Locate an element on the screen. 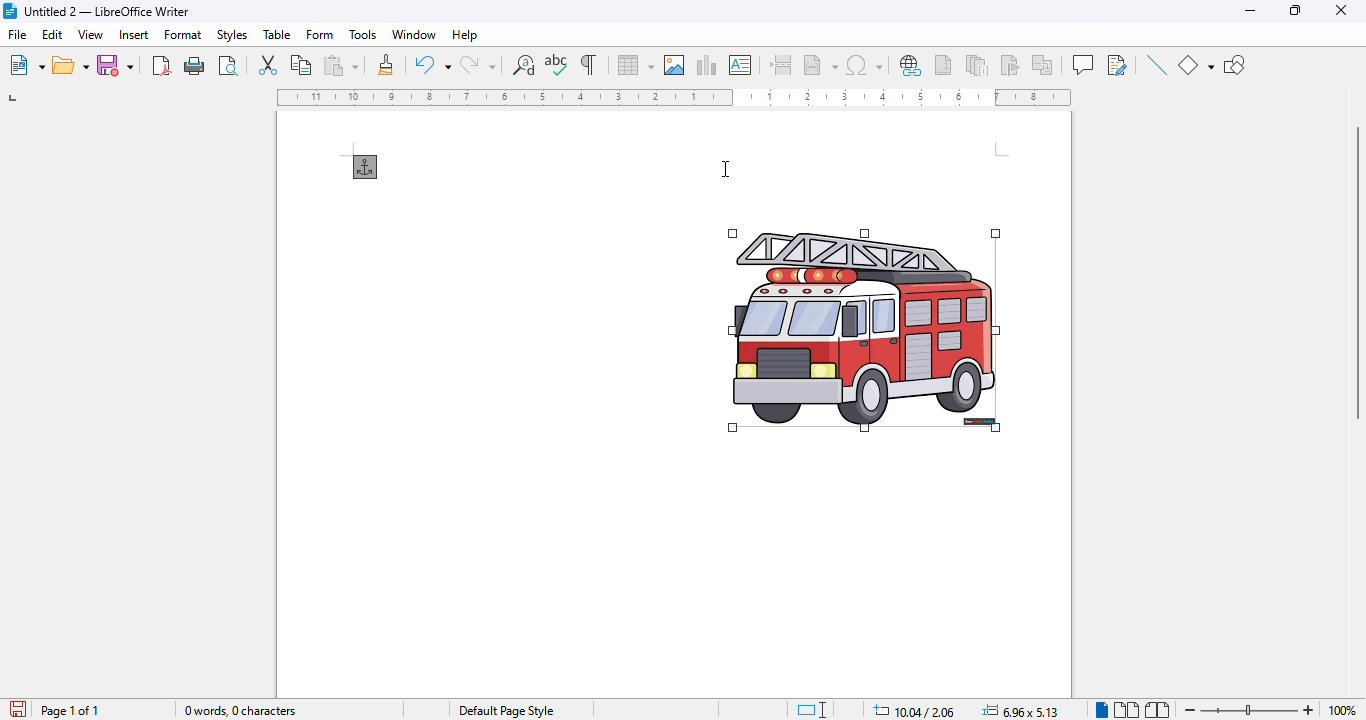 The image size is (1366, 720). zoom factor is located at coordinates (1342, 710).